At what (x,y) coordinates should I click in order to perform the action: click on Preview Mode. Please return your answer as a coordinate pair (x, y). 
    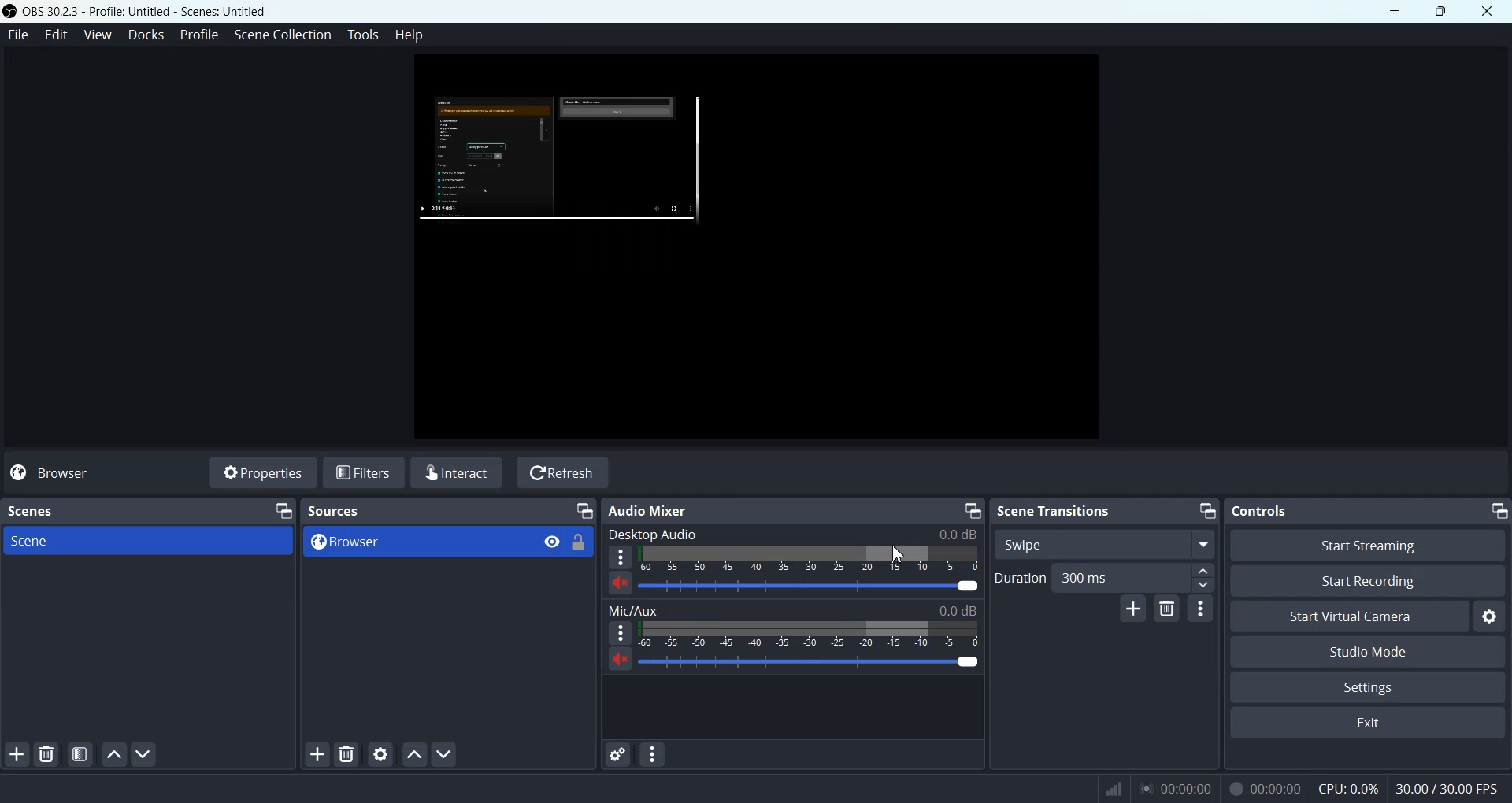
    Looking at the image, I should click on (755, 251).